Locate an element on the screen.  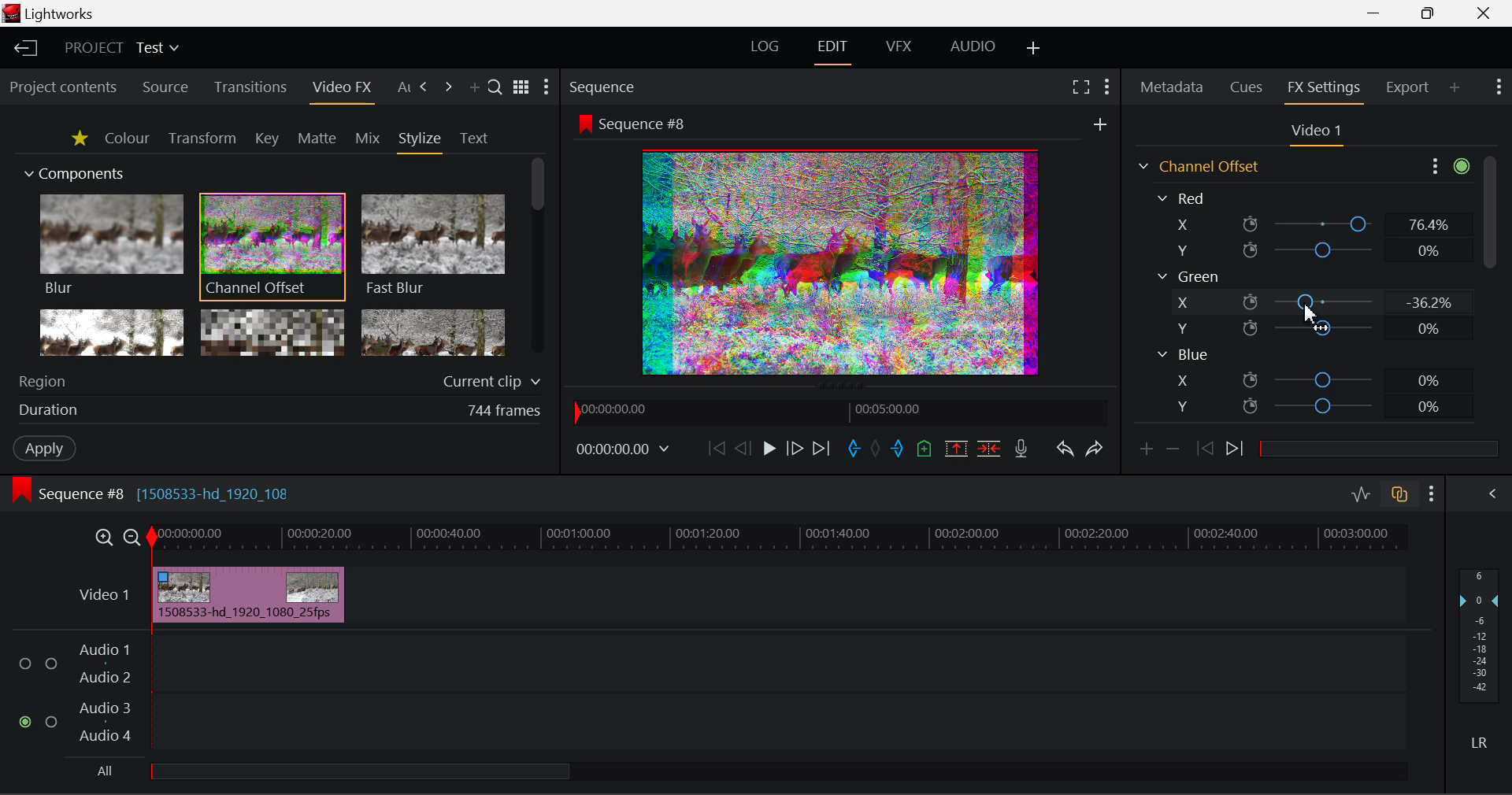
[1508533-hd_1920_108 is located at coordinates (220, 494).